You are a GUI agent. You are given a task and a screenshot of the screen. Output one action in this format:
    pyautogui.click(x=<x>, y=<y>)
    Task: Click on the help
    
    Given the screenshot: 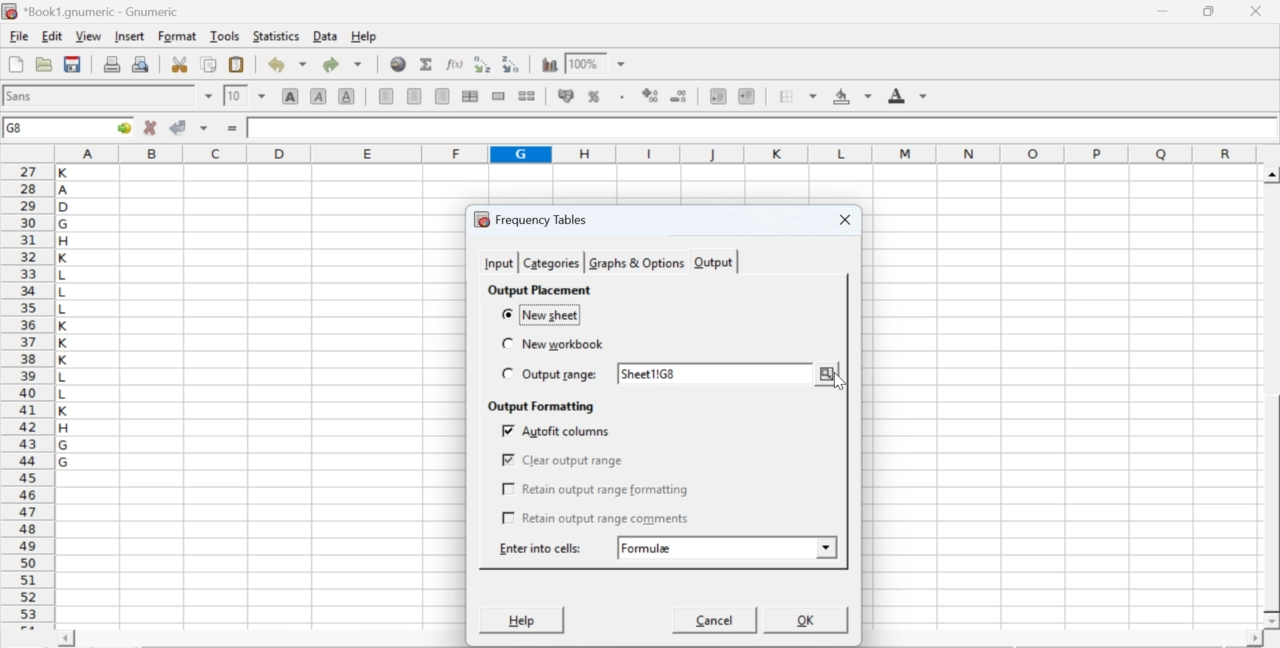 What is the action you would take?
    pyautogui.click(x=366, y=37)
    